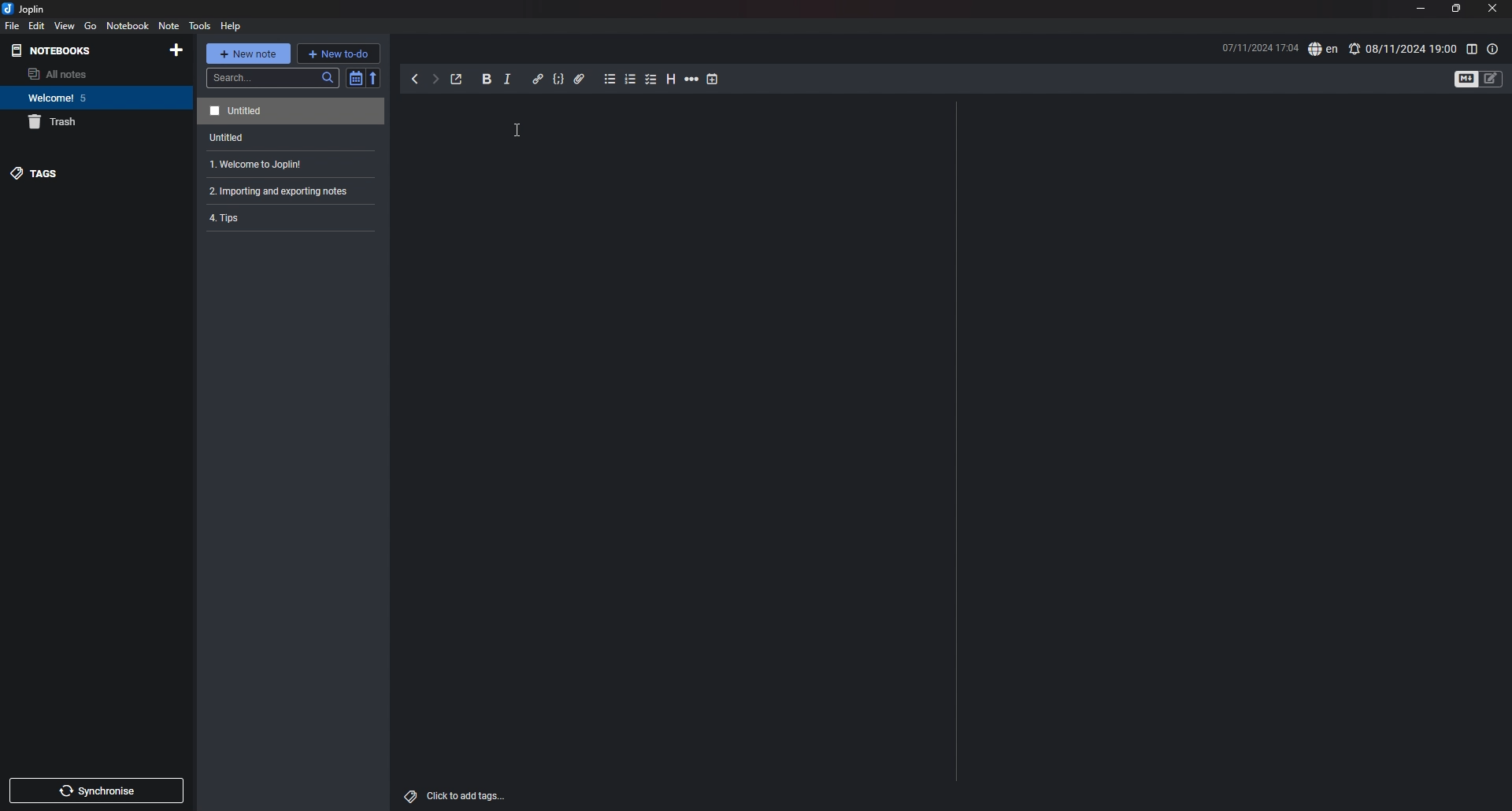  Describe the element at coordinates (1323, 49) in the screenshot. I see `en` at that location.